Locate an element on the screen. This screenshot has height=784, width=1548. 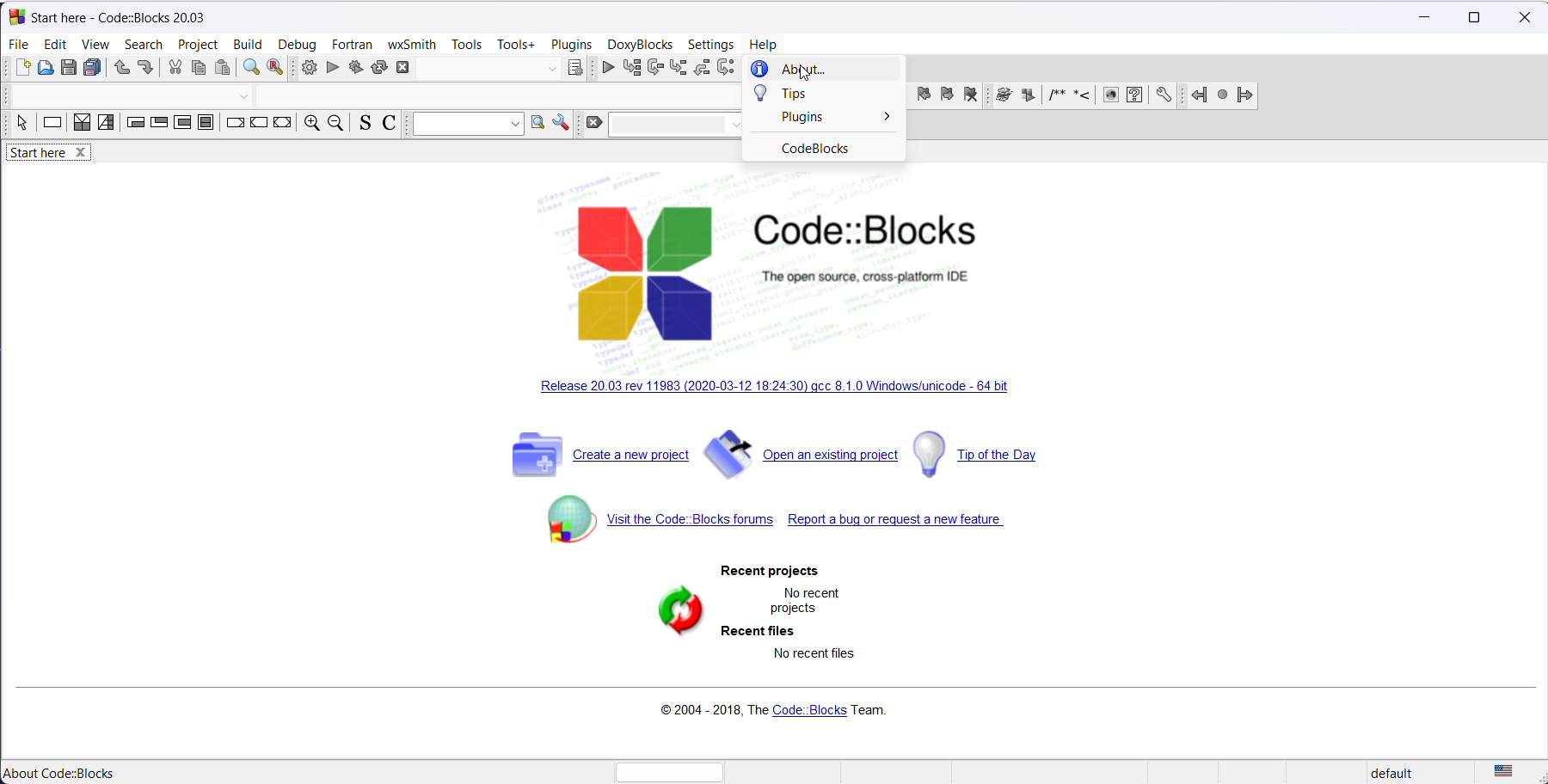
No recent projects is located at coordinates (810, 600).